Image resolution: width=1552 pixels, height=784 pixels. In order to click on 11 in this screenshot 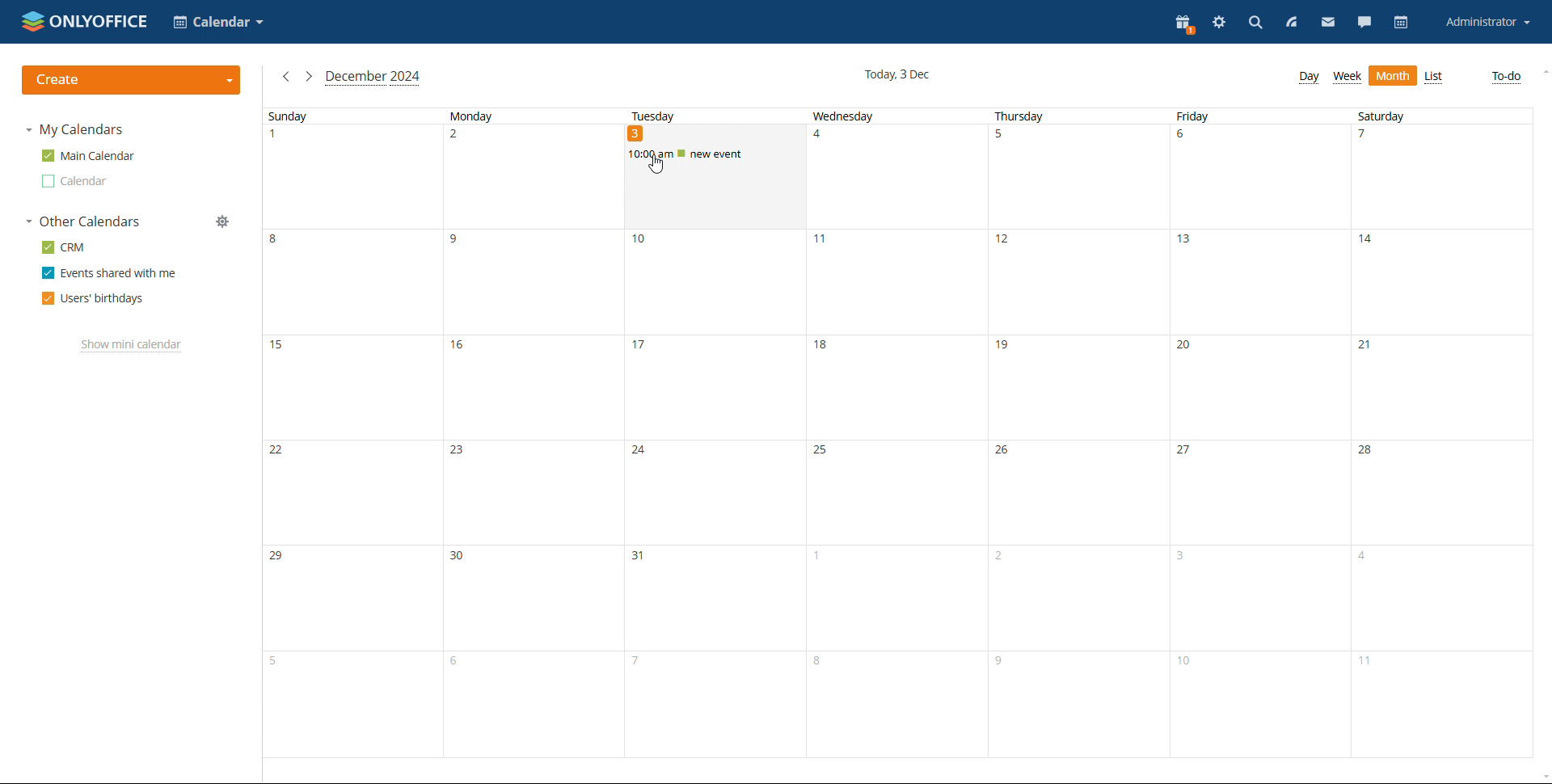, I will do `click(895, 282)`.